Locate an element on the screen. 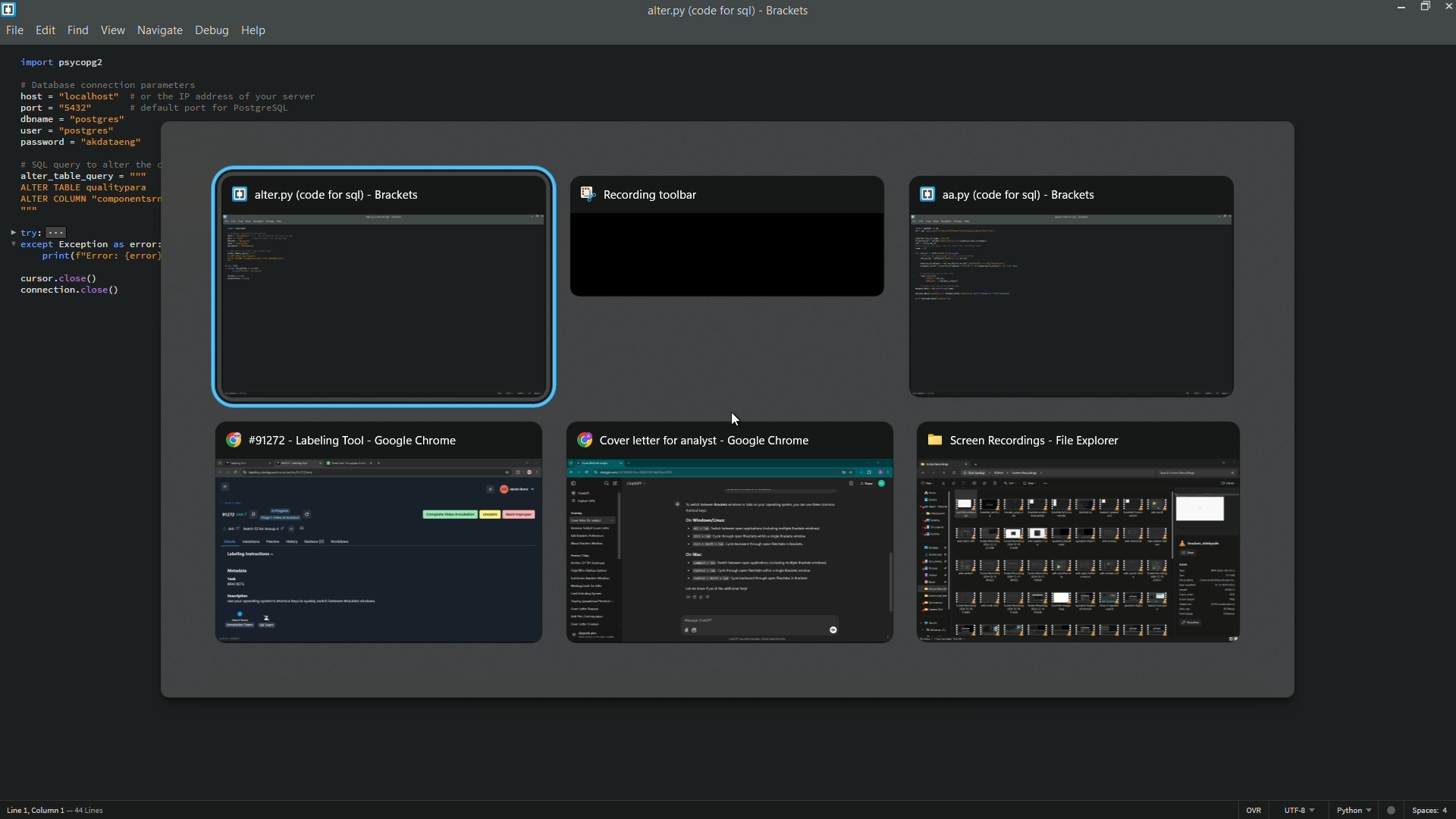 The width and height of the screenshot is (1456, 819). space 4 is located at coordinates (1432, 810).